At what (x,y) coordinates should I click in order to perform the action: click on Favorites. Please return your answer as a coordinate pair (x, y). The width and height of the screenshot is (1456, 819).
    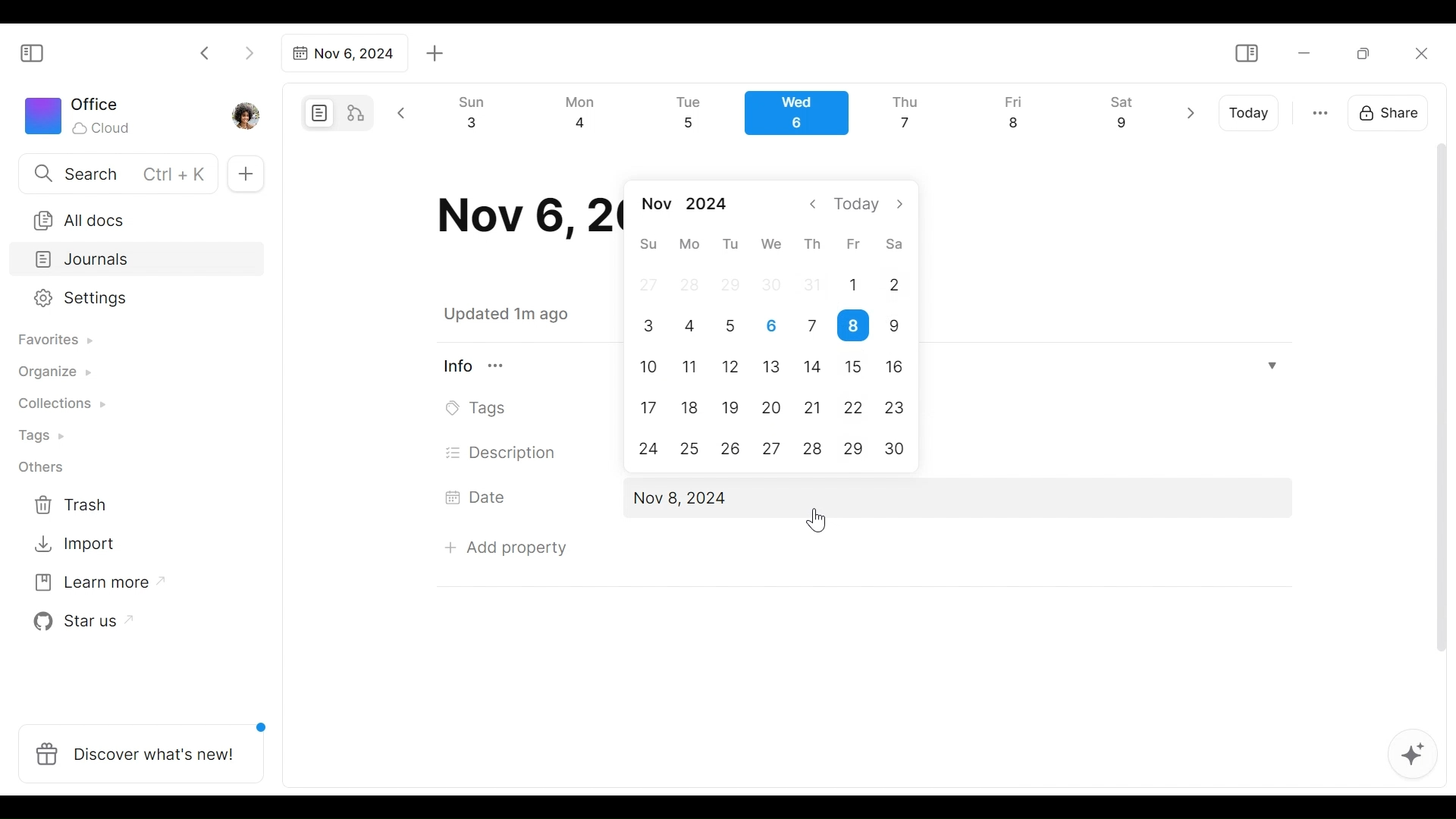
    Looking at the image, I should click on (54, 340).